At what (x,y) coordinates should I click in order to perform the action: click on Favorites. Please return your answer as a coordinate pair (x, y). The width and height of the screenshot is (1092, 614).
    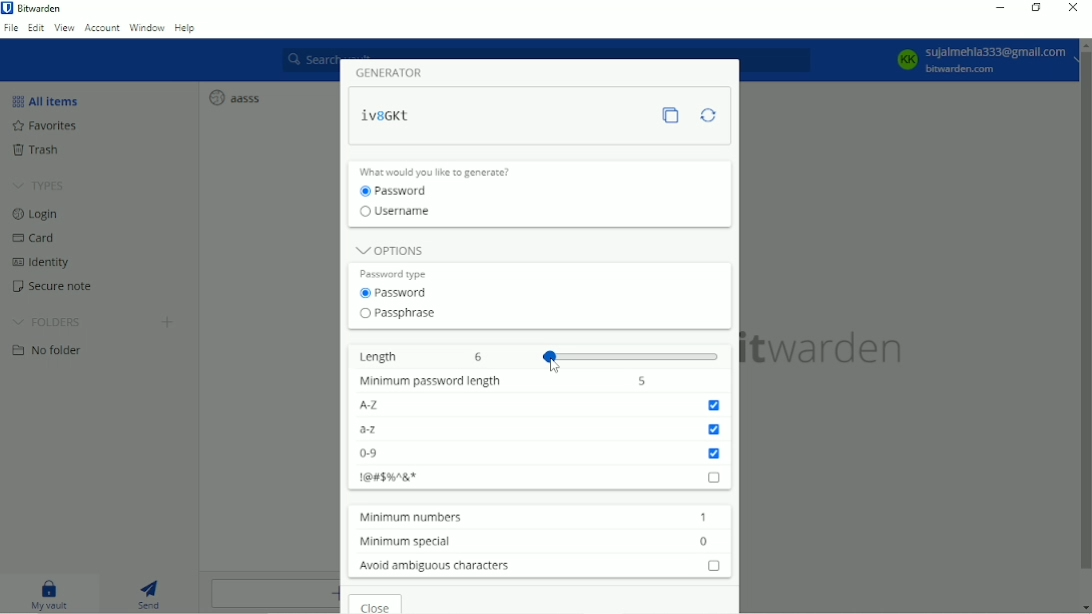
    Looking at the image, I should click on (44, 126).